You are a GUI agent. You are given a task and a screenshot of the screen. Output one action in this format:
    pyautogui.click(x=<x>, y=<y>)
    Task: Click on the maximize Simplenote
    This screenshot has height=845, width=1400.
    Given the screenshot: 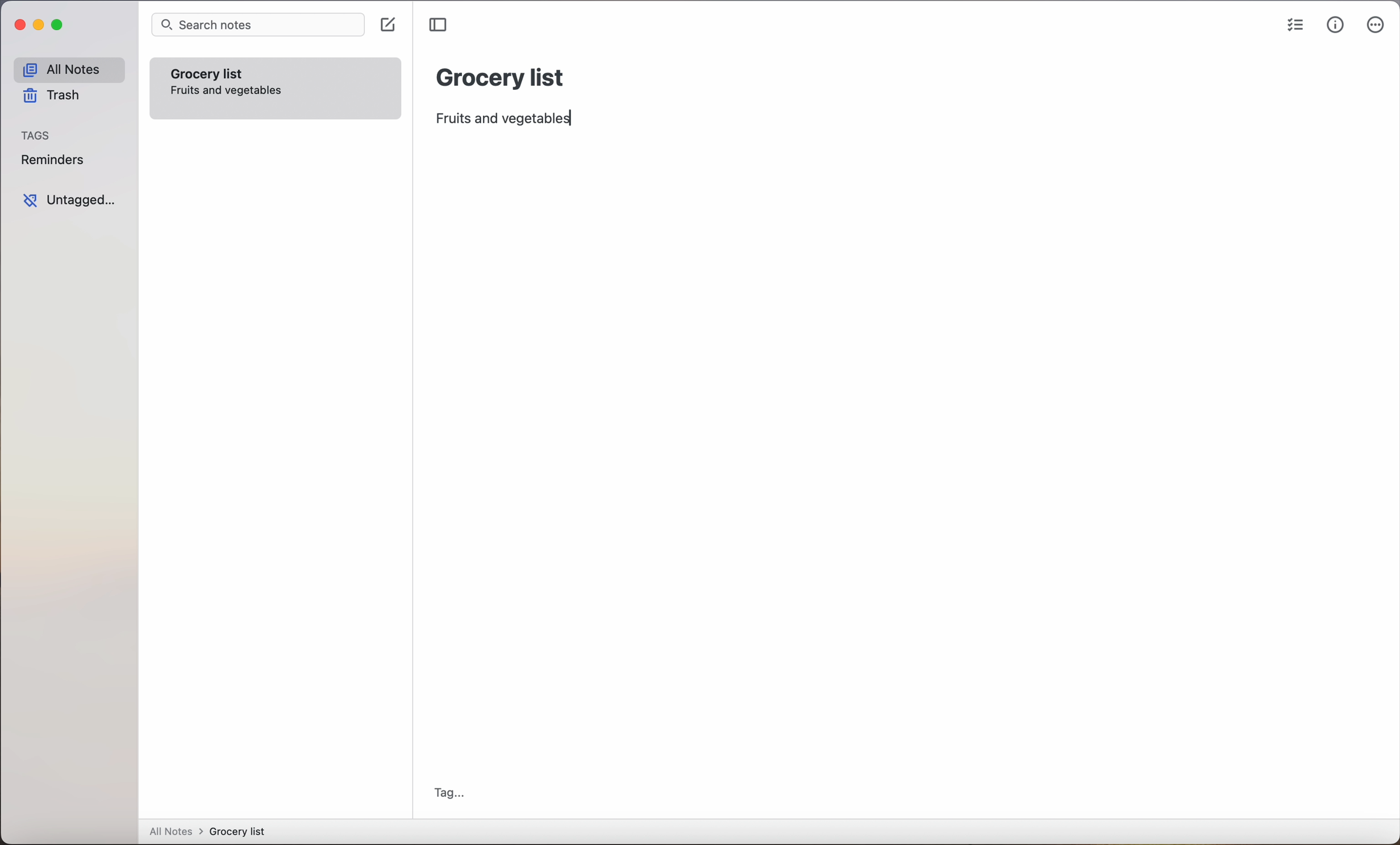 What is the action you would take?
    pyautogui.click(x=60, y=26)
    